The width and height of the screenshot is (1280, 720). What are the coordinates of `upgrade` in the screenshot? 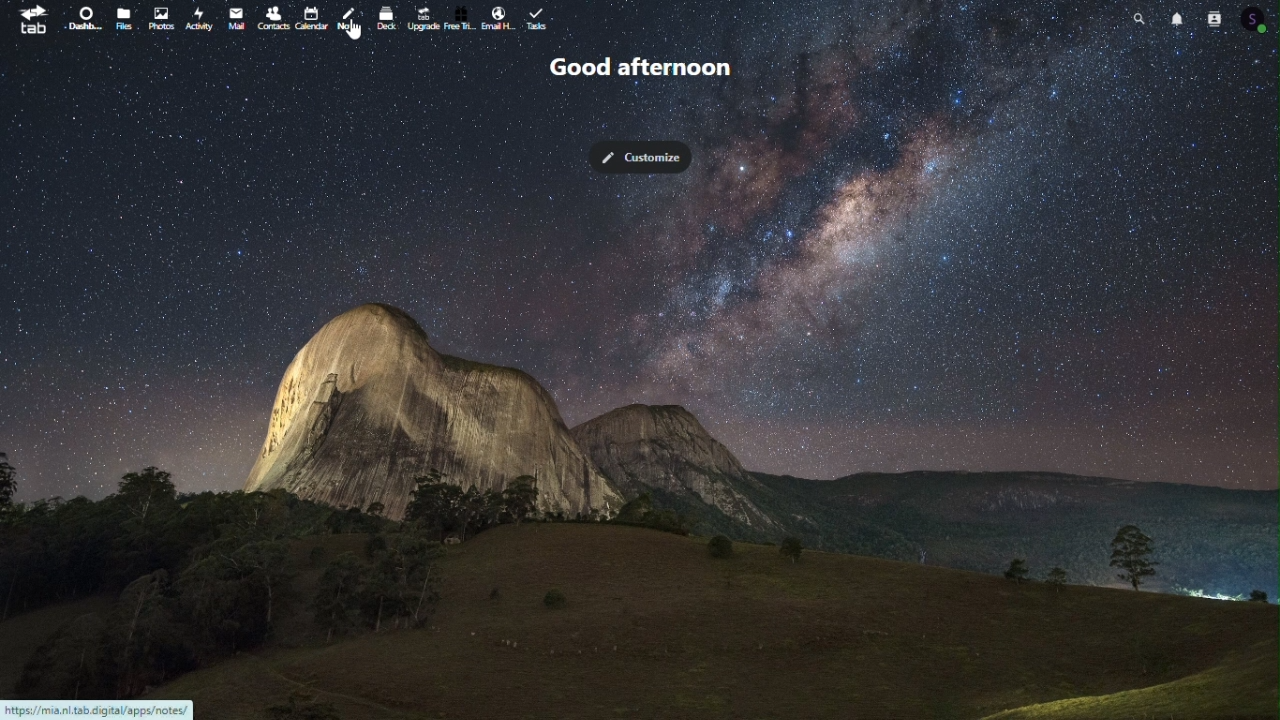 It's located at (424, 17).